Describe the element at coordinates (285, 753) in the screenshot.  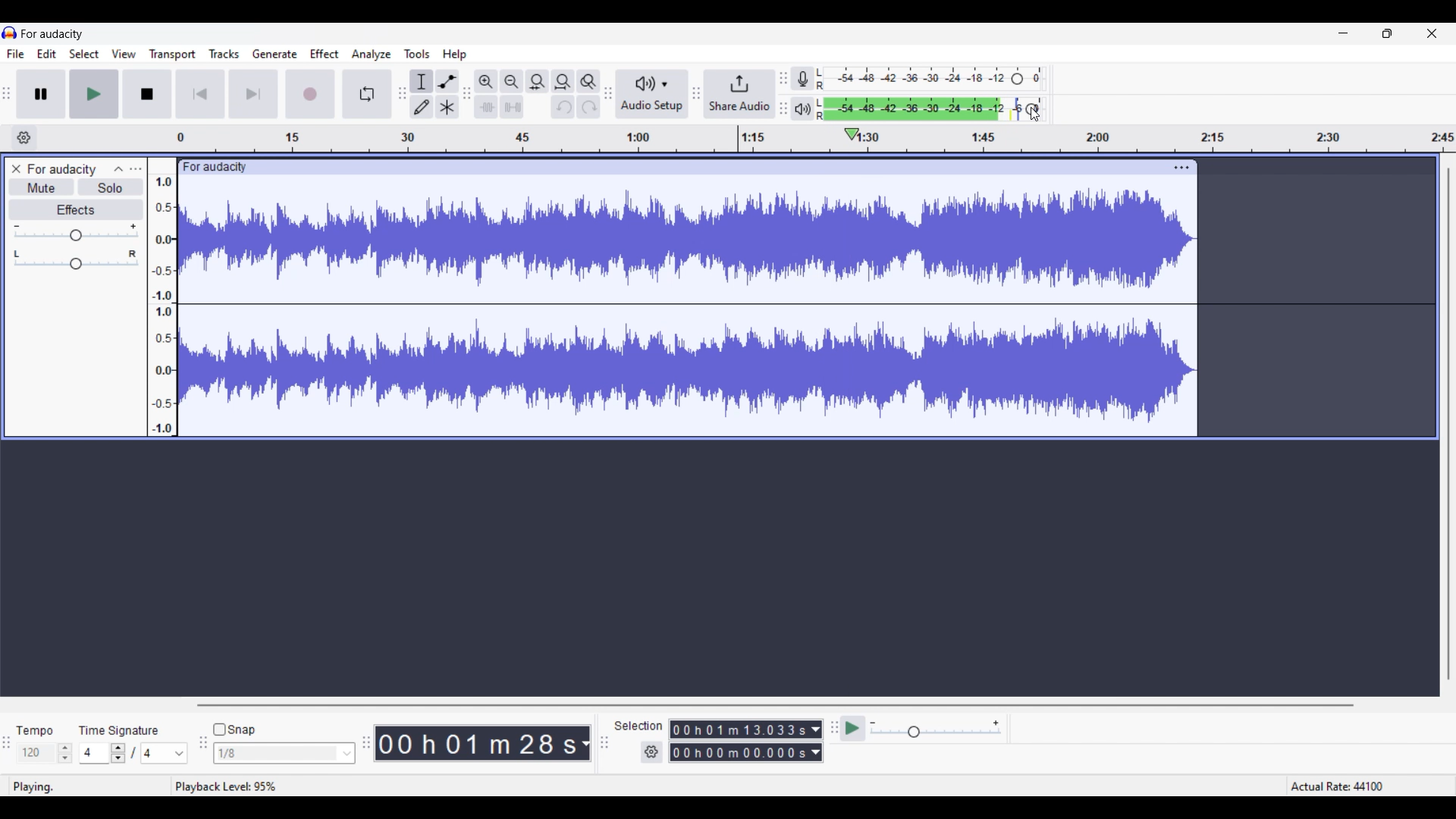
I see `Snap options` at that location.